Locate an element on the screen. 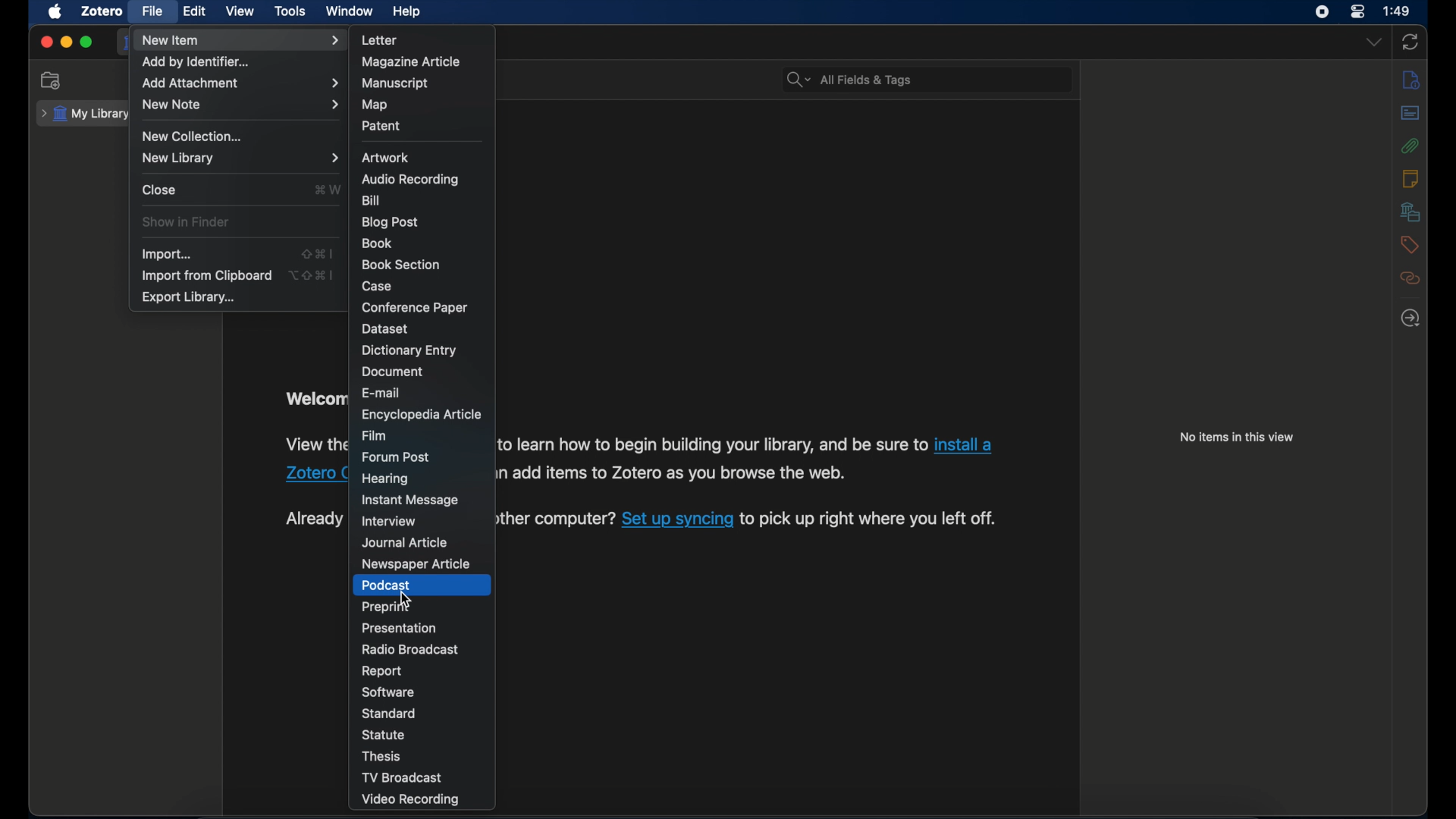  book is located at coordinates (378, 243).